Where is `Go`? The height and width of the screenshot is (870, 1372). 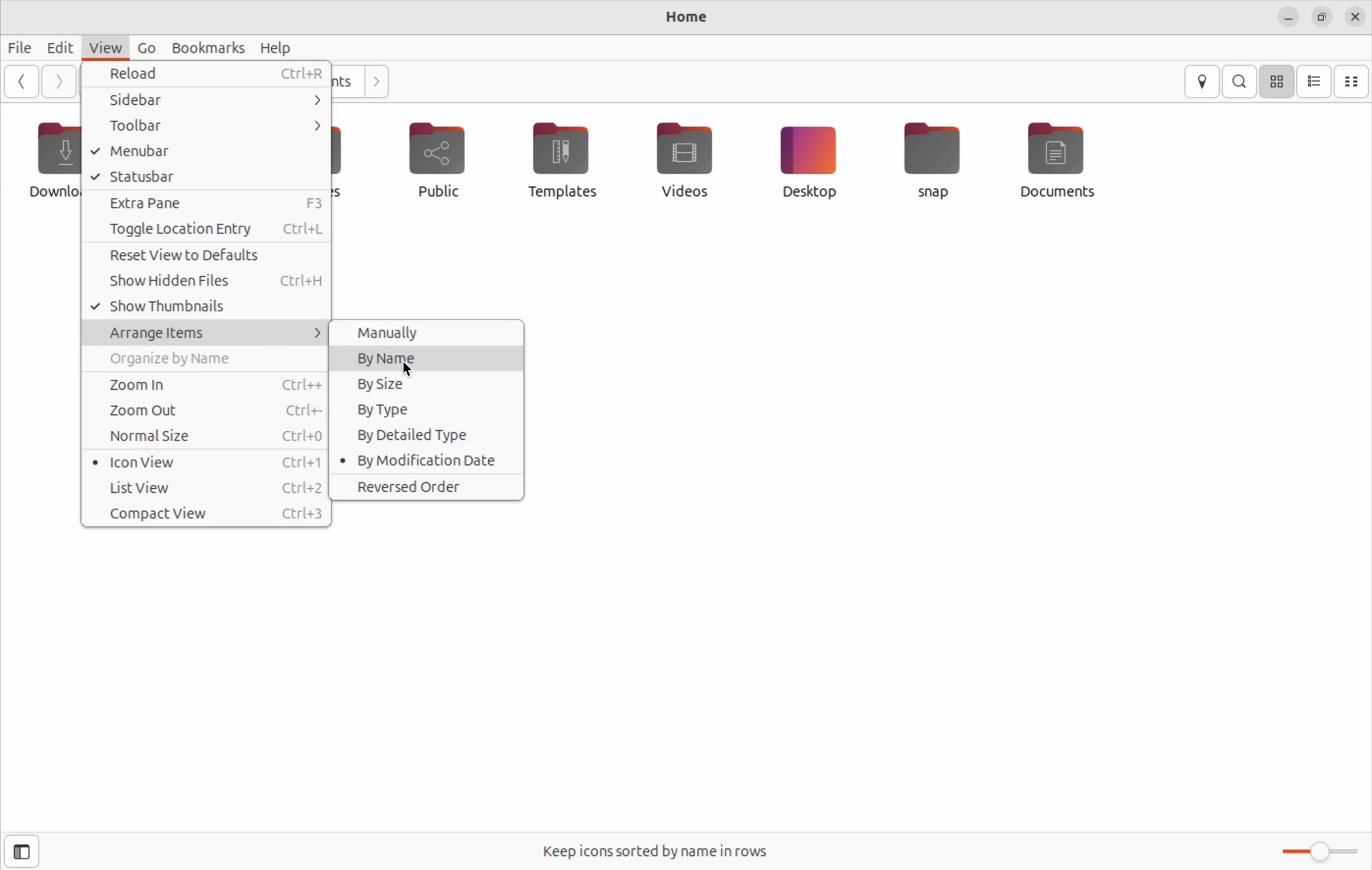 Go is located at coordinates (144, 48).